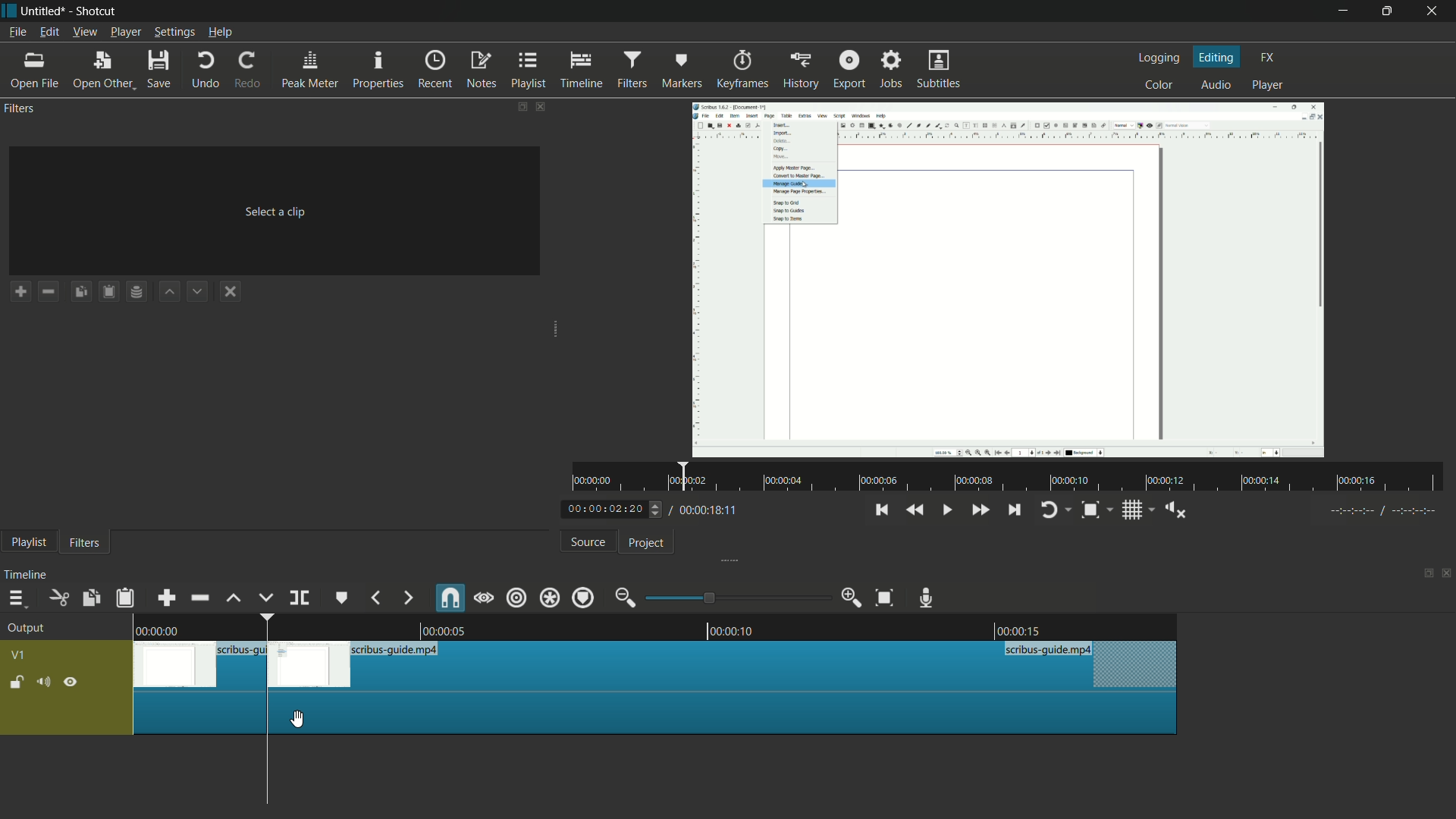 Image resolution: width=1456 pixels, height=819 pixels. Describe the element at coordinates (946, 510) in the screenshot. I see `toggle play or pause` at that location.